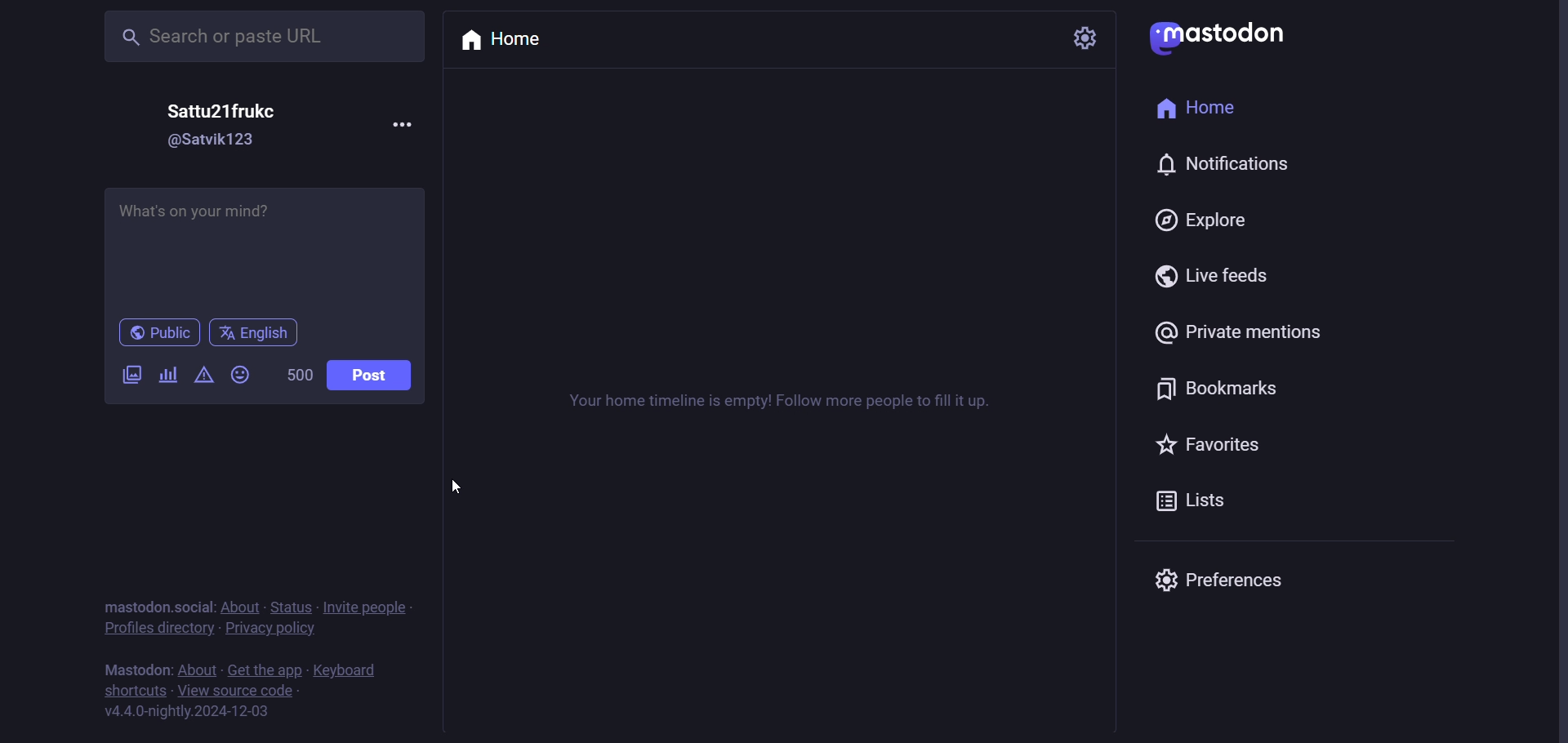  What do you see at coordinates (1206, 276) in the screenshot?
I see `live feeds` at bounding box center [1206, 276].